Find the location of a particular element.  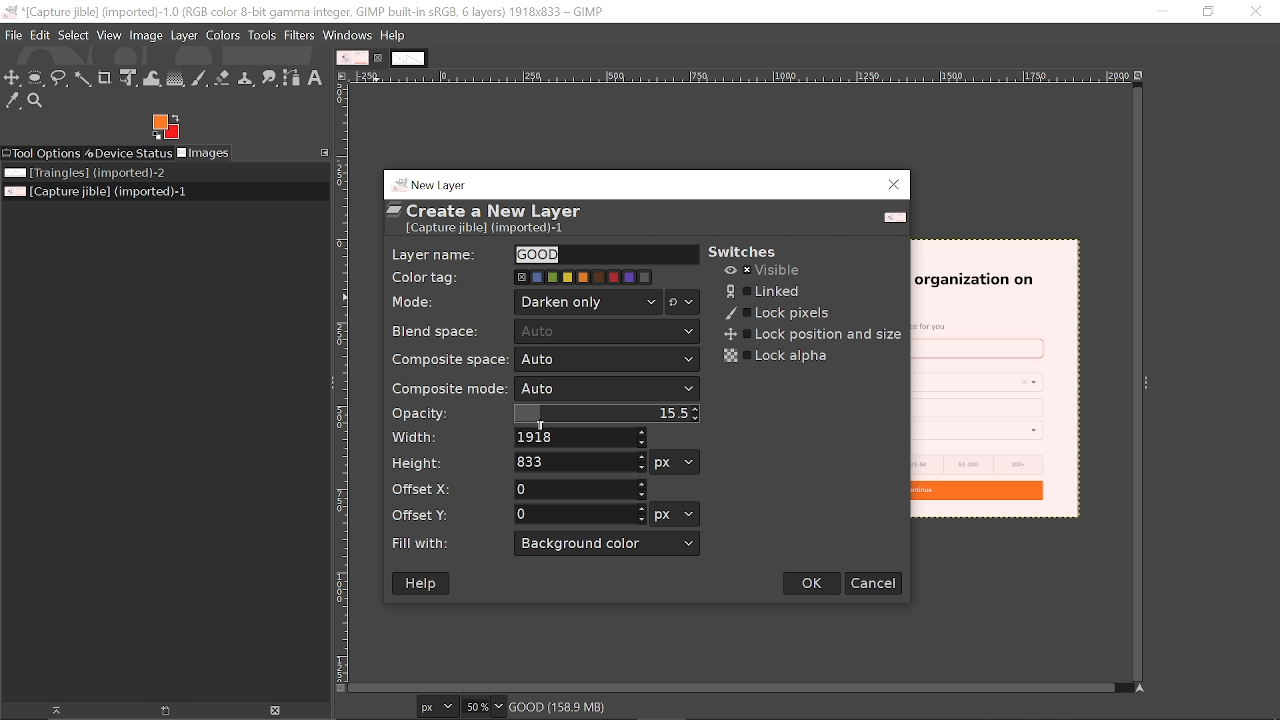

Lock alpha is located at coordinates (778, 356).